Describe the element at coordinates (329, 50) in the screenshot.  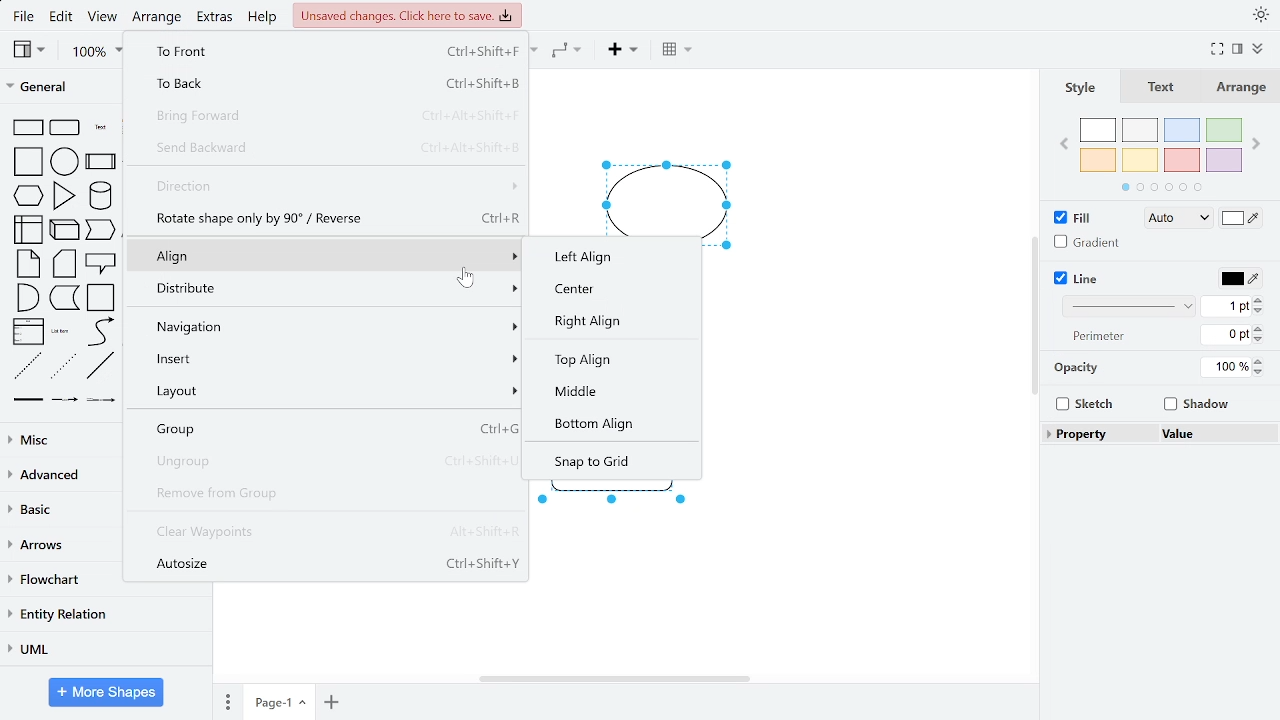
I see `to front` at that location.